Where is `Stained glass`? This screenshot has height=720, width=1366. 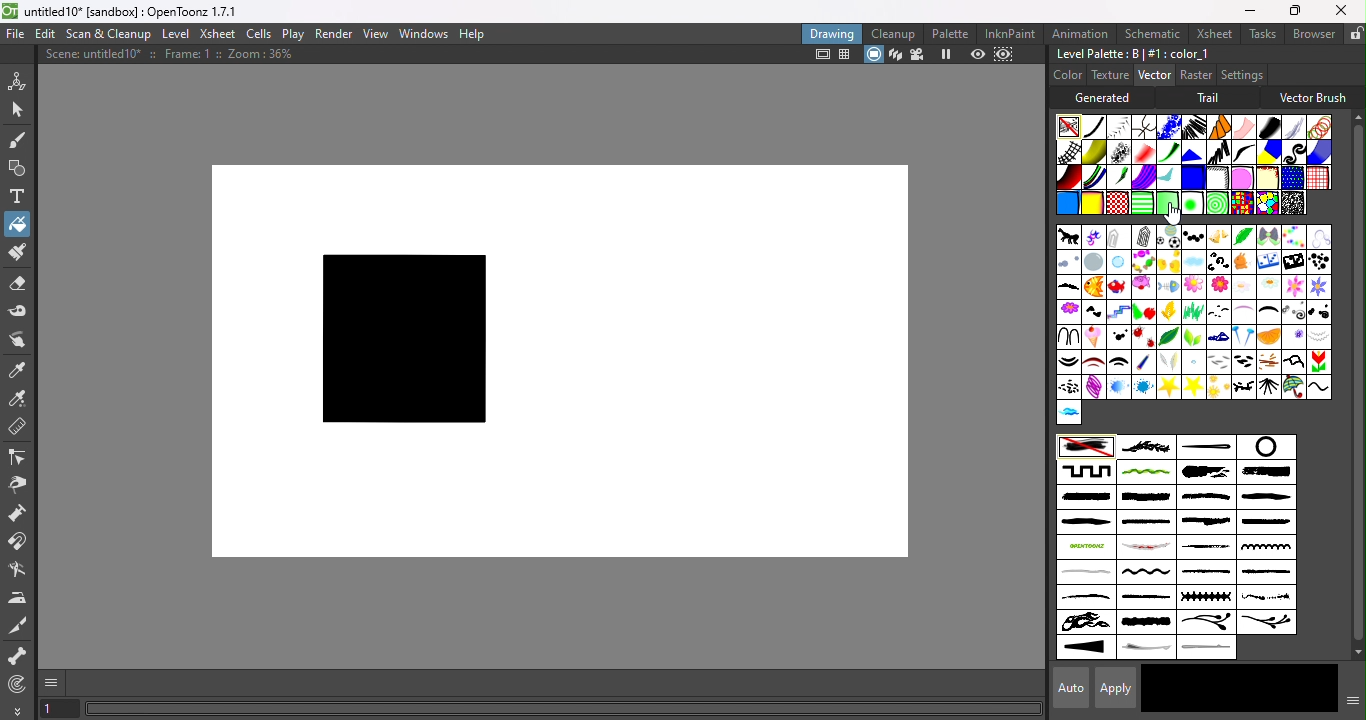 Stained glass is located at coordinates (1241, 202).